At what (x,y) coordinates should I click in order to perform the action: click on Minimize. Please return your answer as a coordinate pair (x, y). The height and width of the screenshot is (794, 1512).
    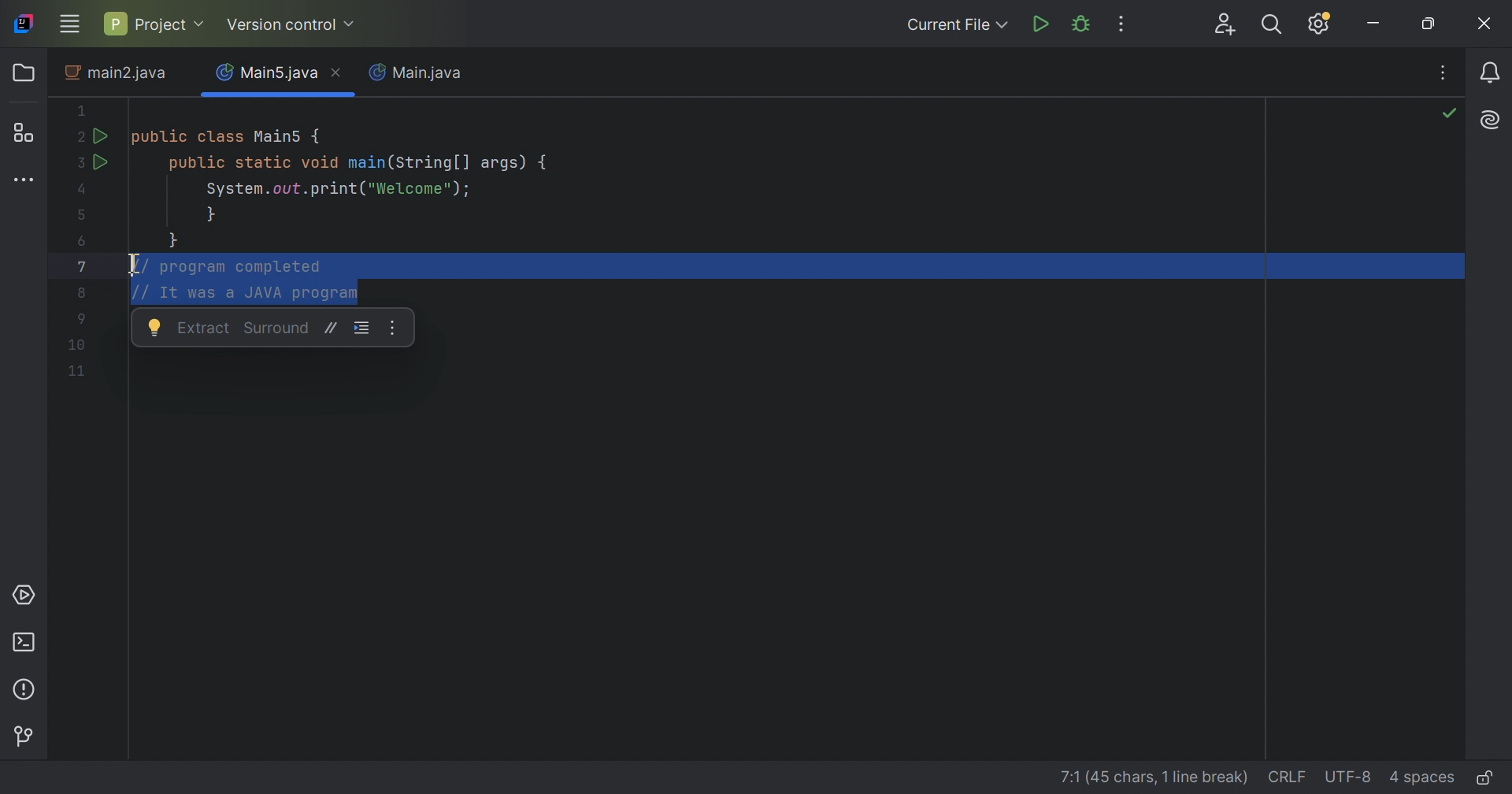
    Looking at the image, I should click on (1373, 28).